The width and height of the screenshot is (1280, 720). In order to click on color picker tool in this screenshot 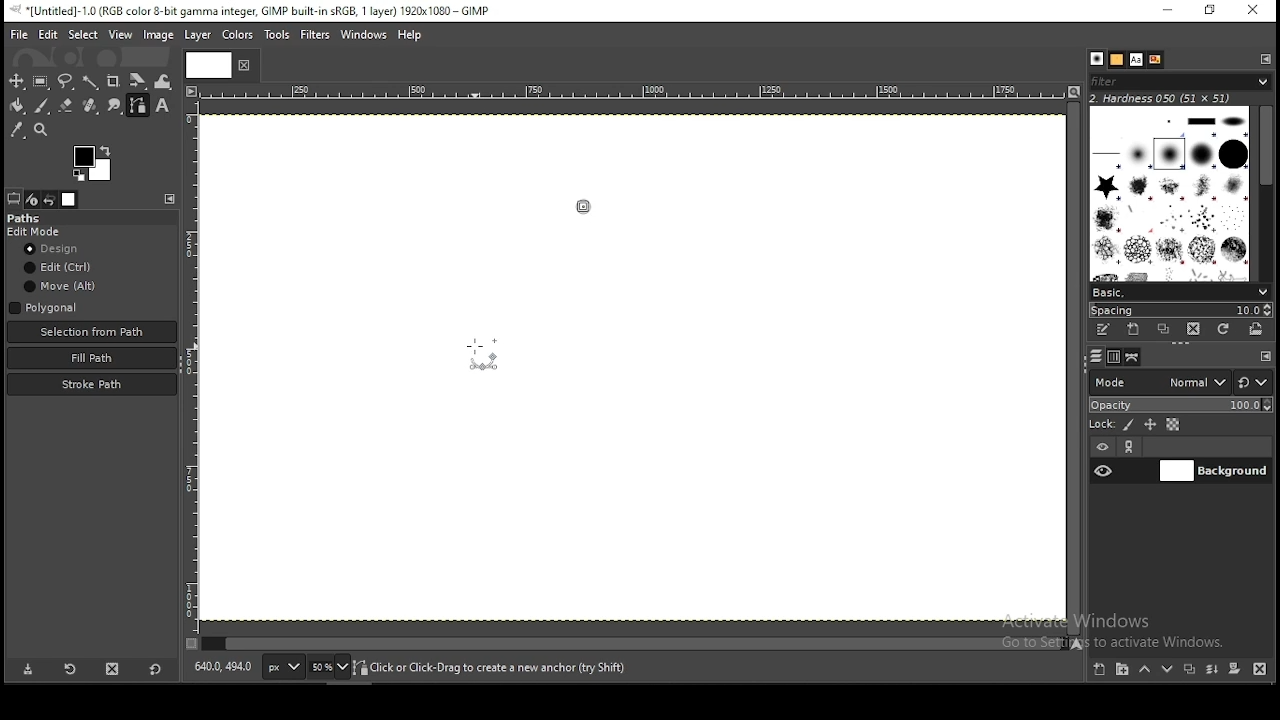, I will do `click(18, 130)`.